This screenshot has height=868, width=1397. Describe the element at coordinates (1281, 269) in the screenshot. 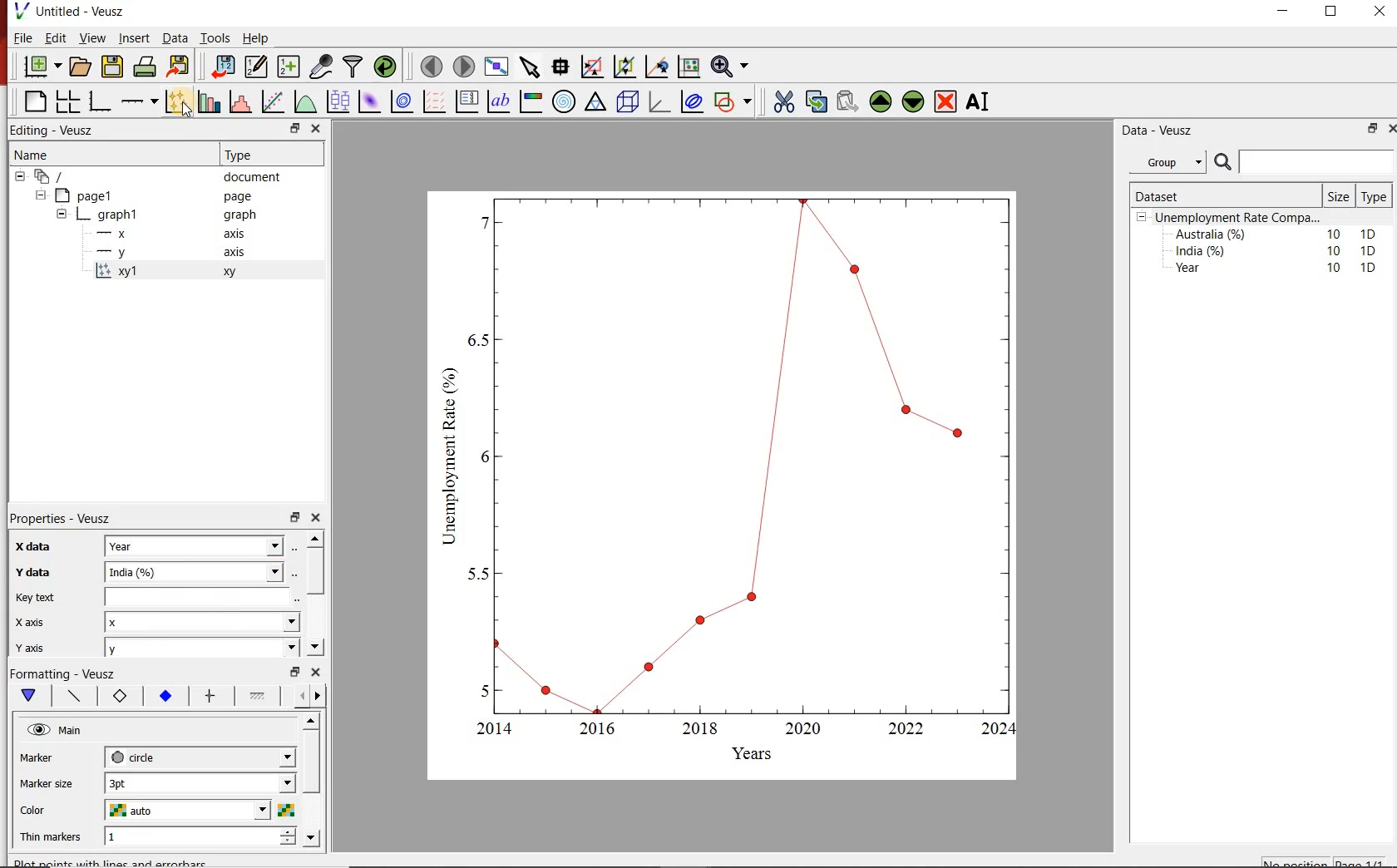

I see `Year 10 1D` at that location.